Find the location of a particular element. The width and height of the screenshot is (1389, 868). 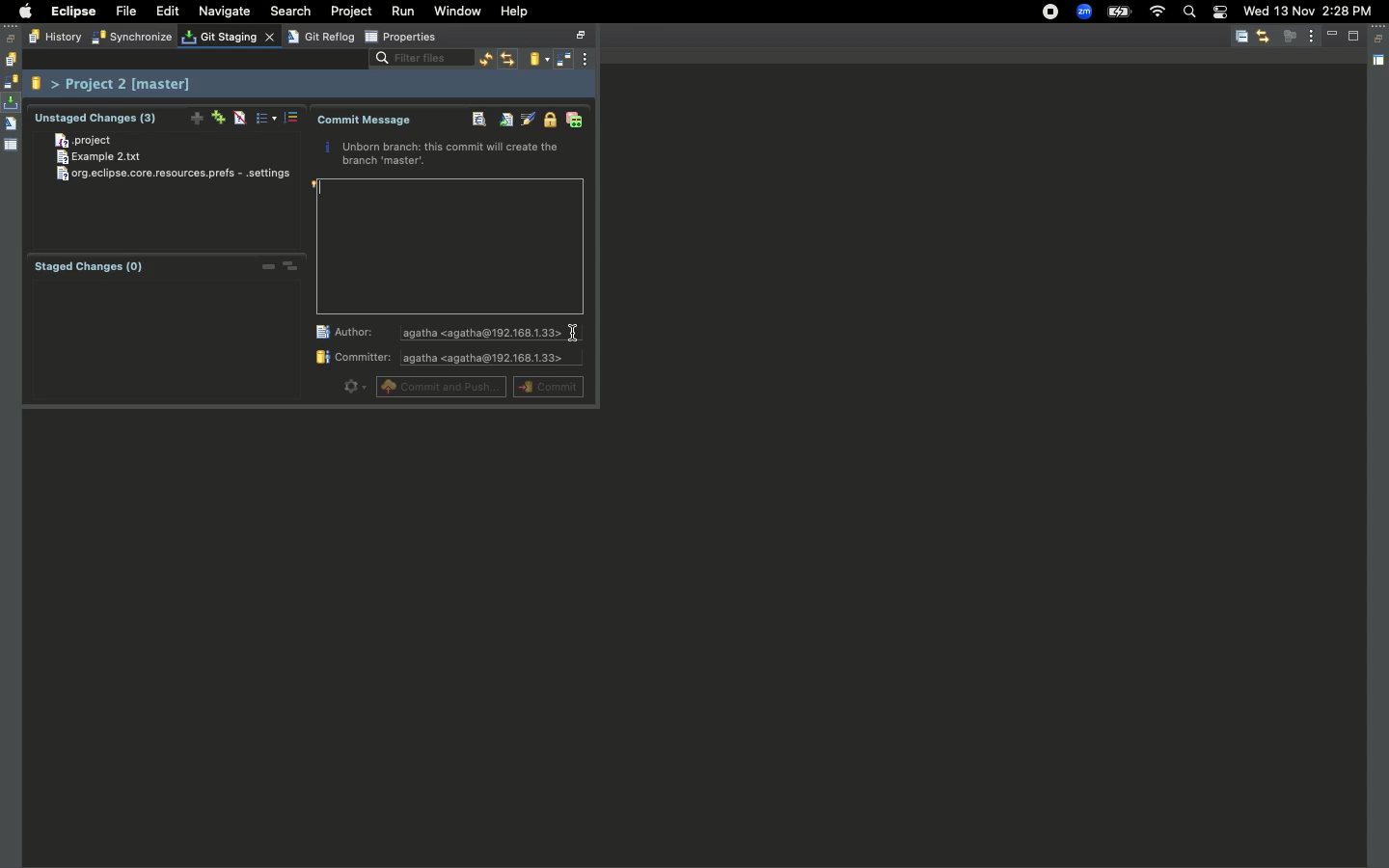

Collapse all is located at coordinates (1241, 38).